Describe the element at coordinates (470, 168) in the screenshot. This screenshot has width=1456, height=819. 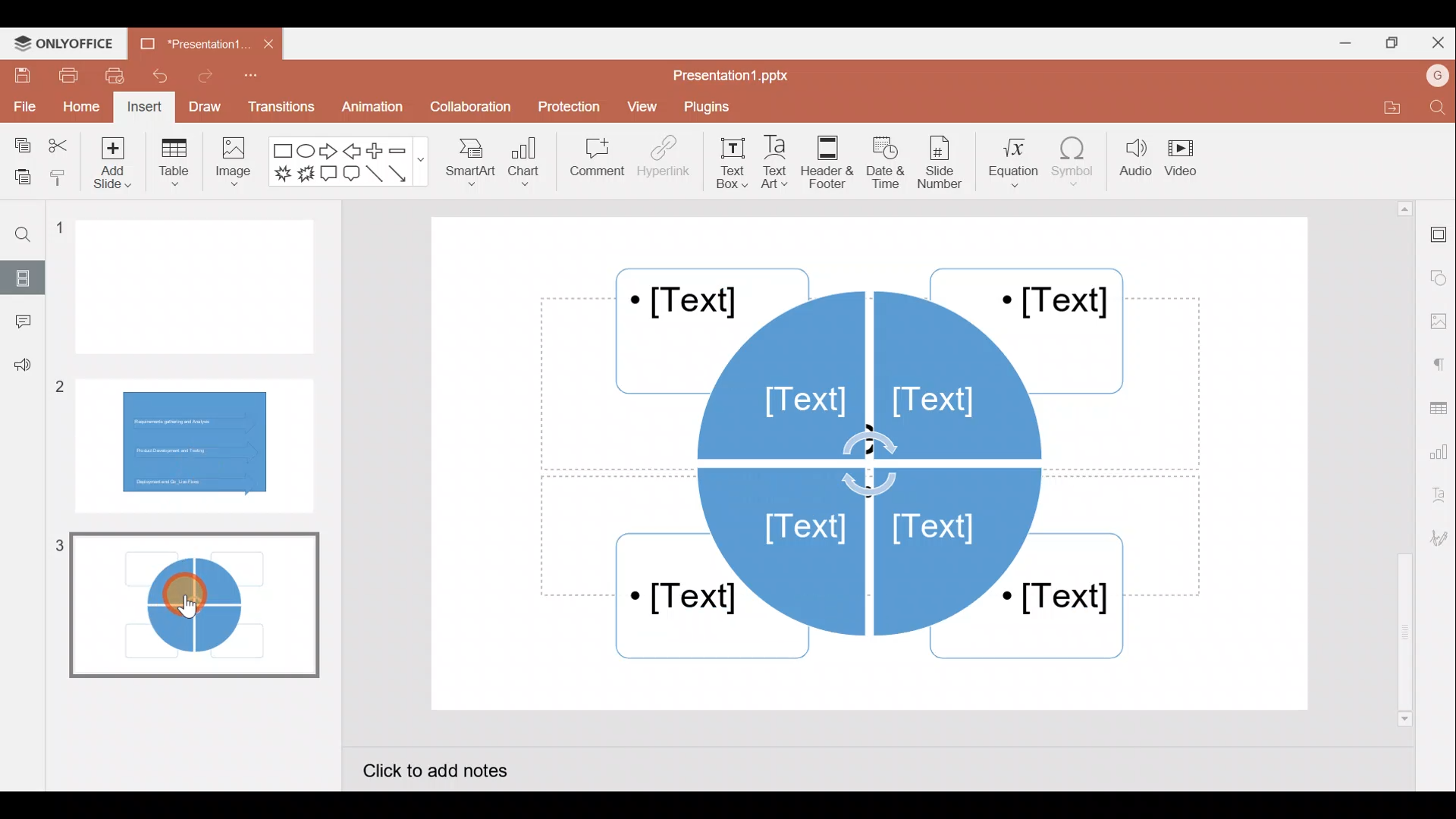
I see `SmartArt` at that location.